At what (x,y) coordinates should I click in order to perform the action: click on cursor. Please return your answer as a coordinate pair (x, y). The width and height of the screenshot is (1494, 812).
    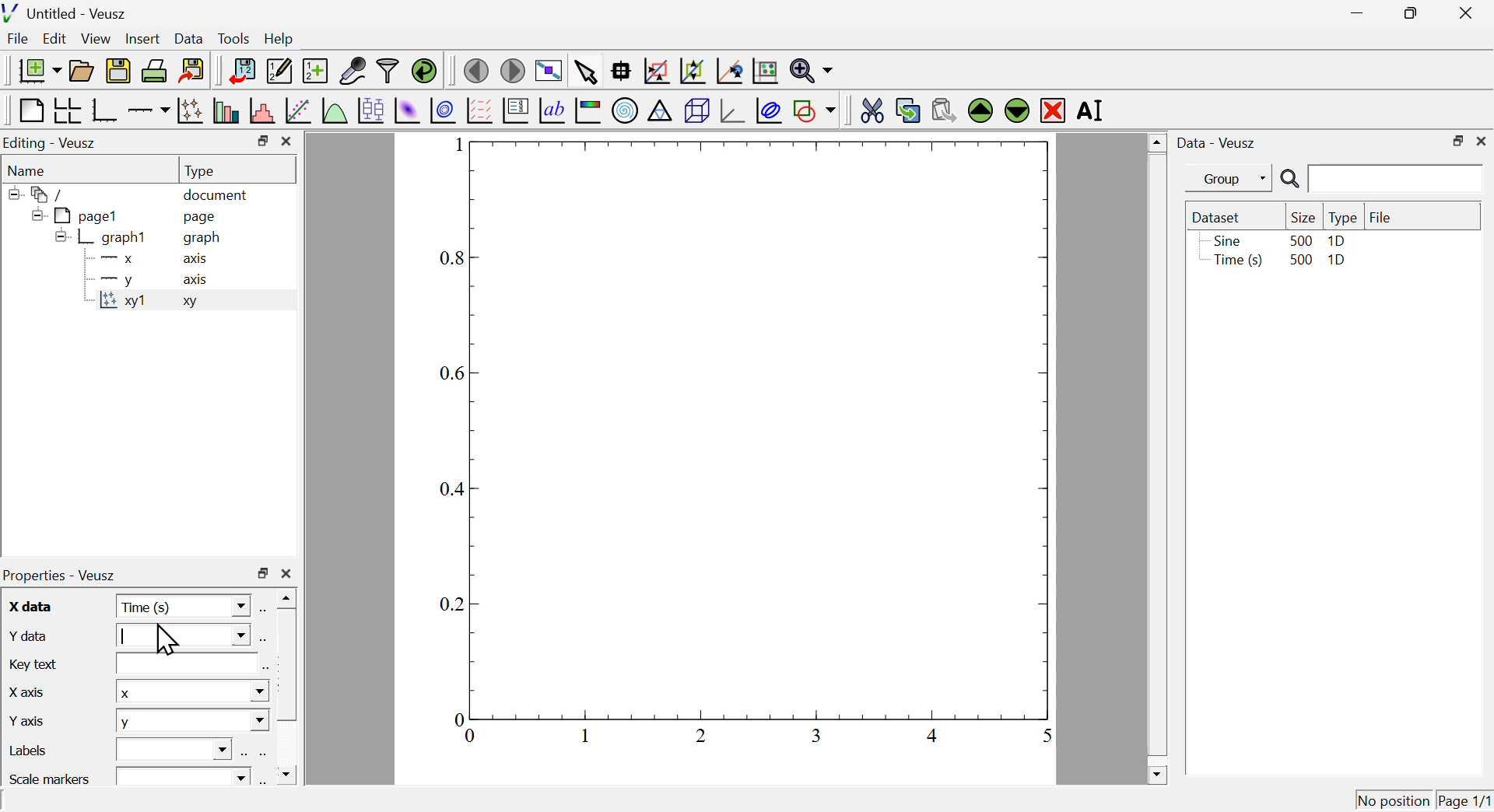
    Looking at the image, I should click on (167, 638).